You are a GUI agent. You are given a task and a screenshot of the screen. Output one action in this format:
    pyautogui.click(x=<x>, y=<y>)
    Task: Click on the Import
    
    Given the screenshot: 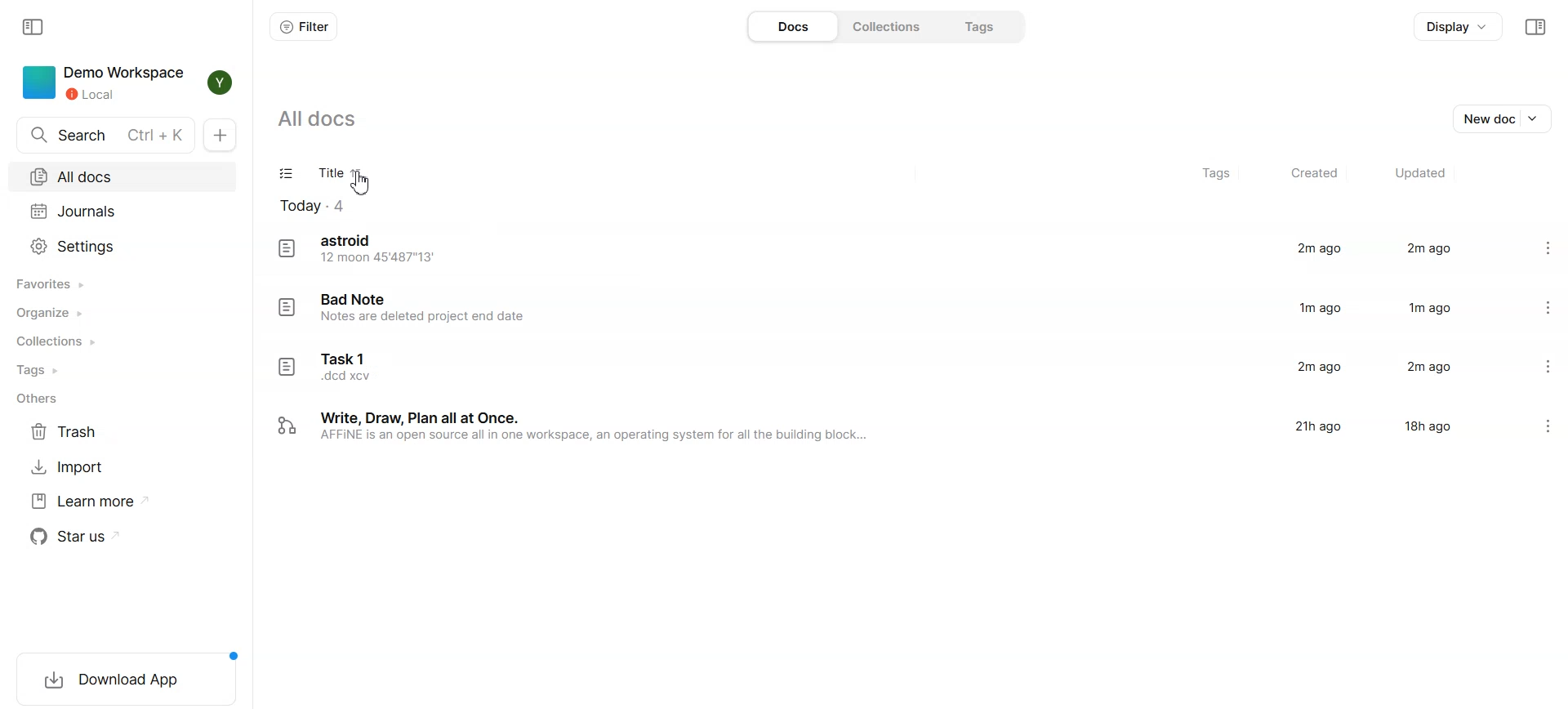 What is the action you would take?
    pyautogui.click(x=67, y=466)
    